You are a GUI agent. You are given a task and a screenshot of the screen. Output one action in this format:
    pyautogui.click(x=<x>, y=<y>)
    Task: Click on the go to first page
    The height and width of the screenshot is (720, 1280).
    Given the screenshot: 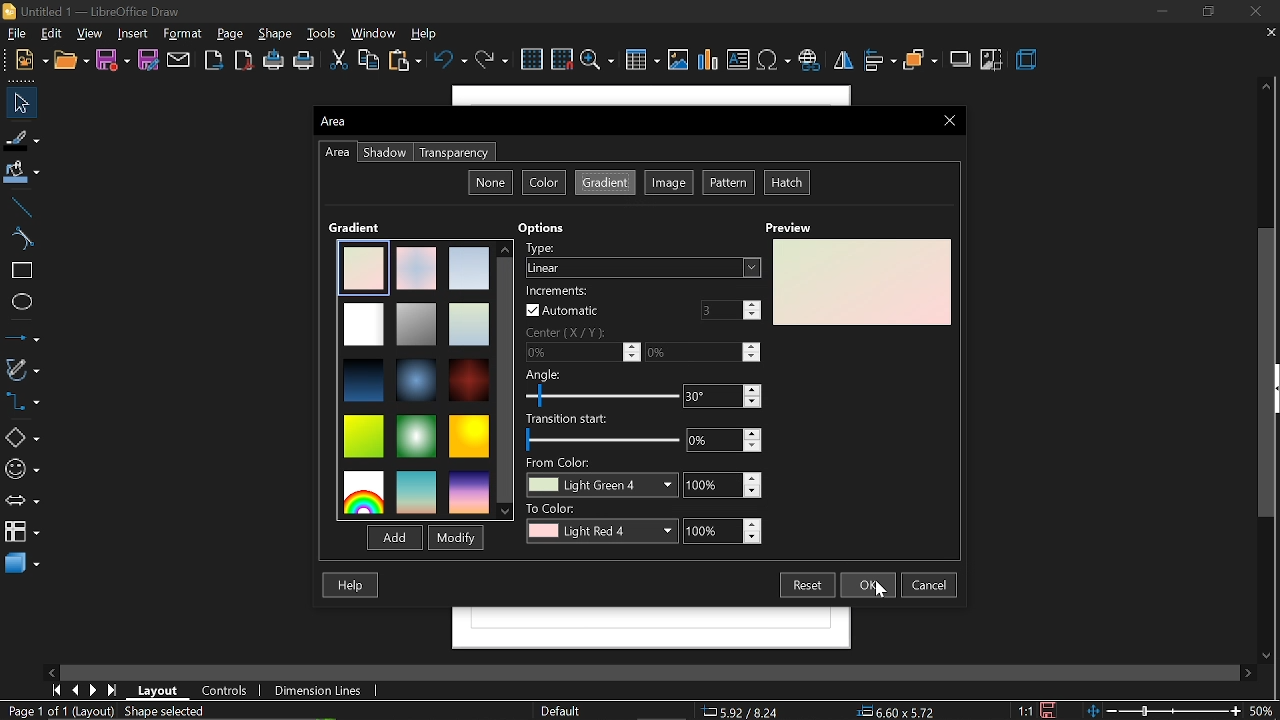 What is the action you would take?
    pyautogui.click(x=56, y=690)
    